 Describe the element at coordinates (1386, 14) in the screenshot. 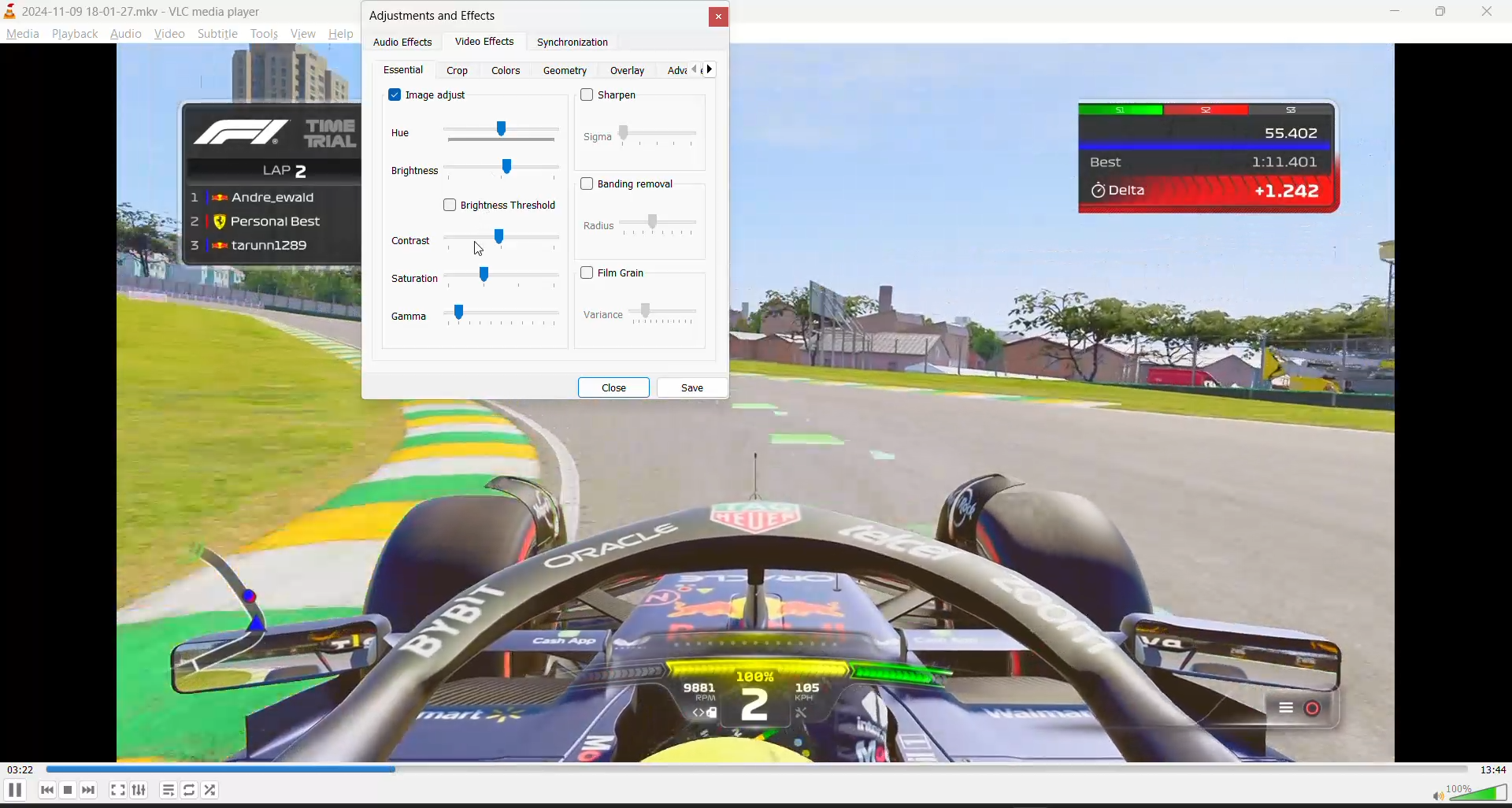

I see `minimize` at that location.